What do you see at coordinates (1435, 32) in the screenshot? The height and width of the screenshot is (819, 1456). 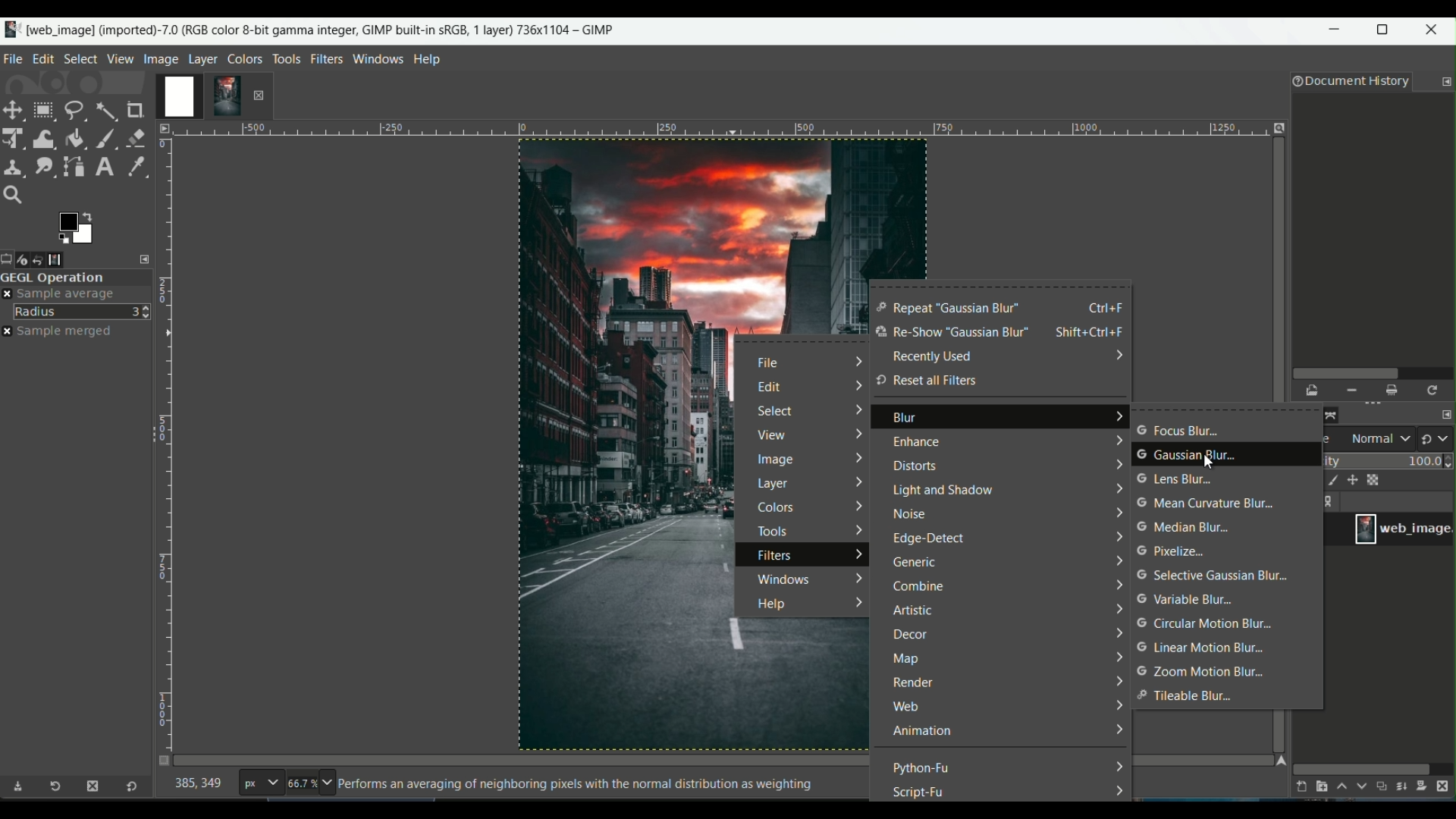 I see `close window` at bounding box center [1435, 32].